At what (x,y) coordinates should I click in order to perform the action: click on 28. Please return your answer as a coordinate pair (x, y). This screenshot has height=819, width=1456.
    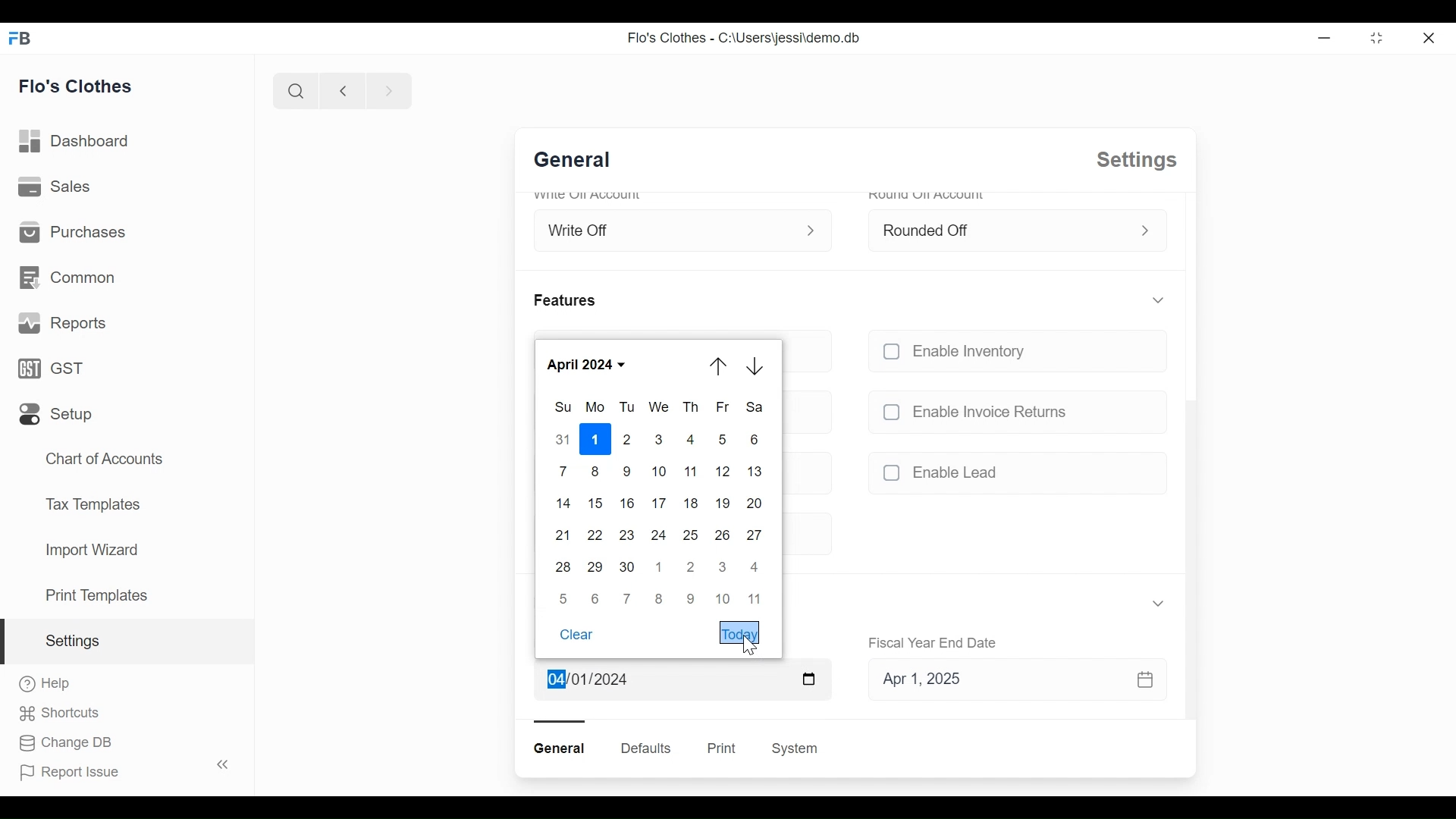
    Looking at the image, I should click on (564, 566).